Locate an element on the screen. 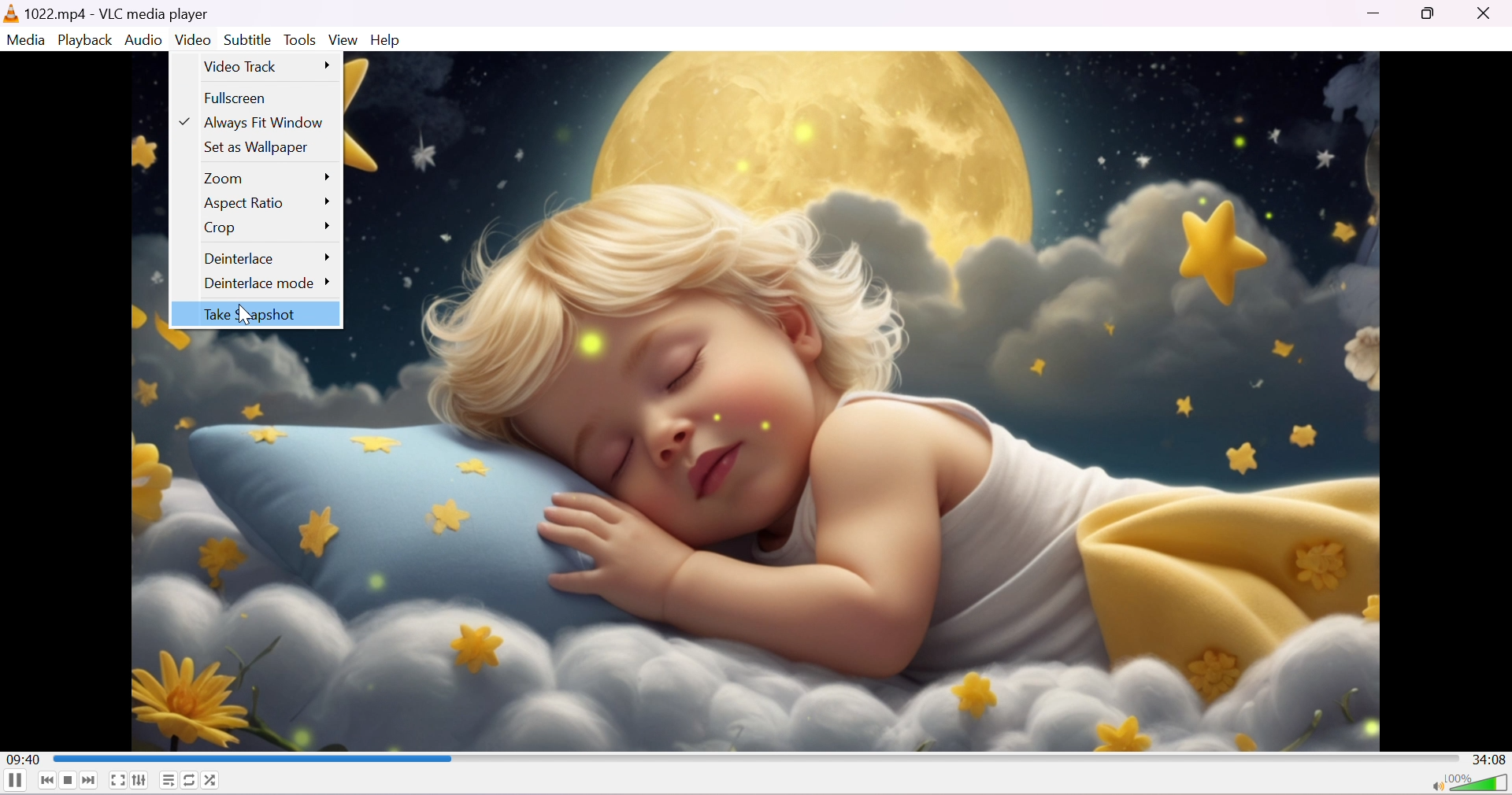 The height and width of the screenshot is (795, 1512). Mute is located at coordinates (1434, 784).